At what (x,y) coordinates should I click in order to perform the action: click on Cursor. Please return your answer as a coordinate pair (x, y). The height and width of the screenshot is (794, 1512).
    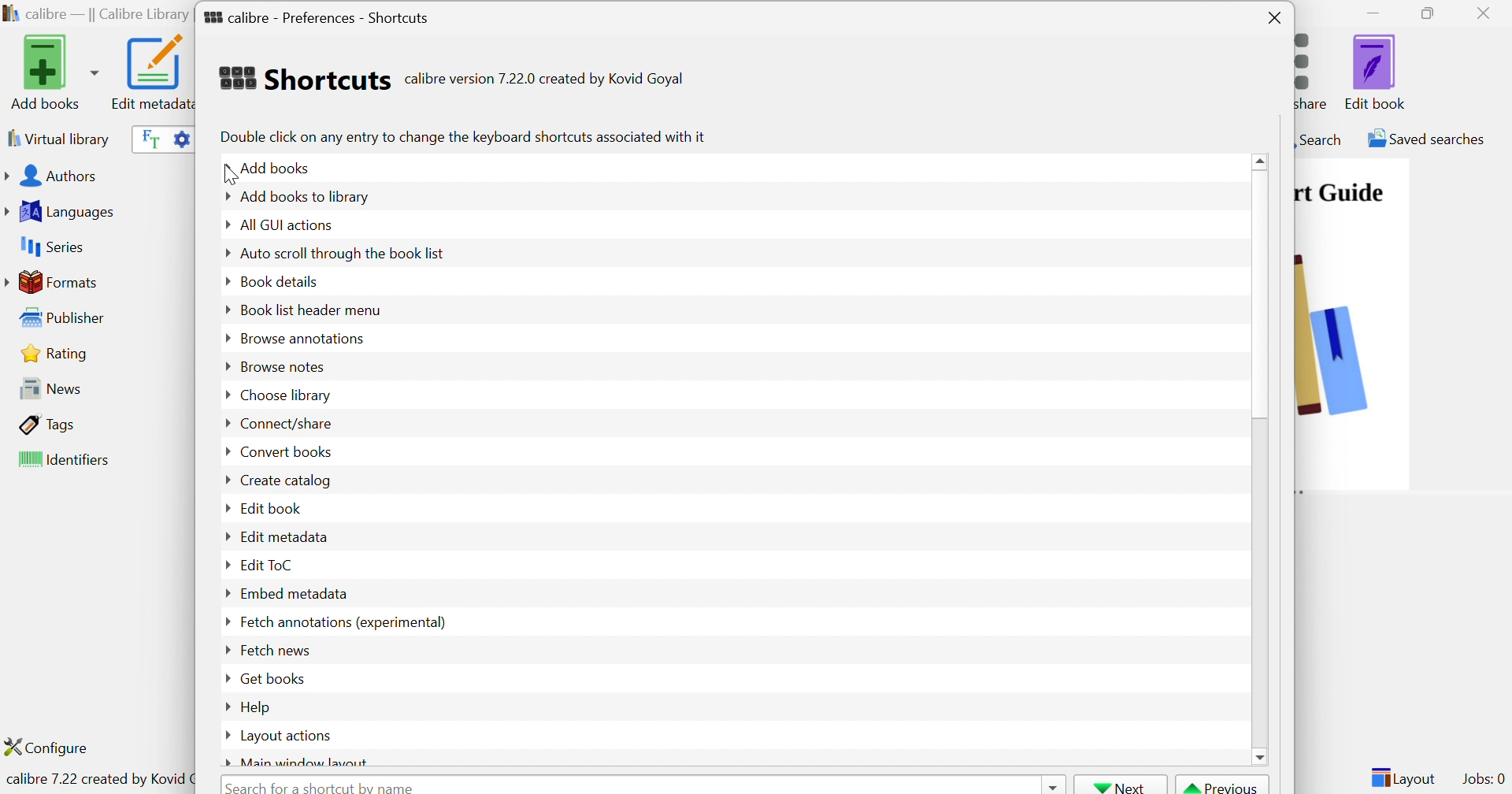
    Looking at the image, I should click on (229, 176).